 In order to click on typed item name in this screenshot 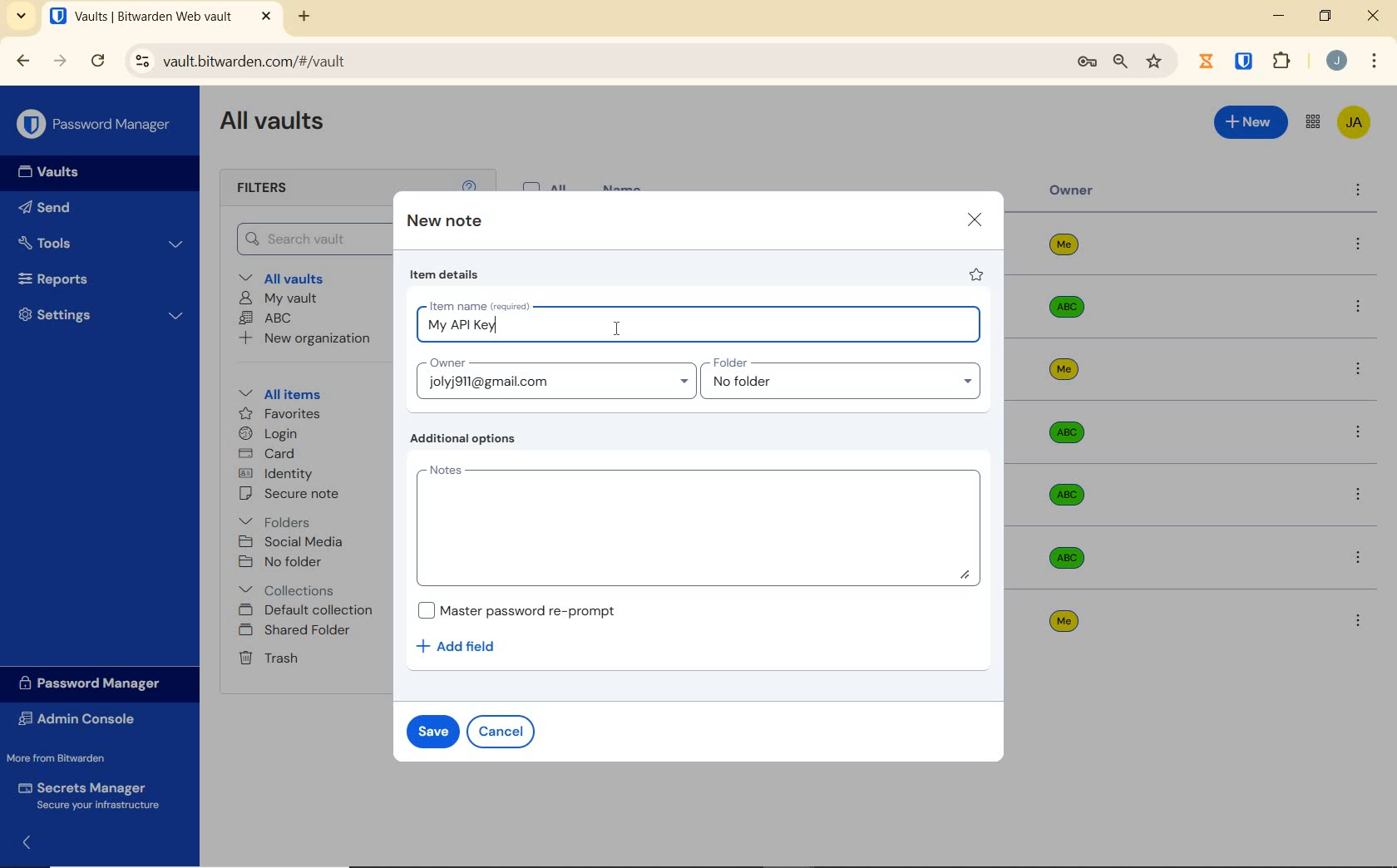, I will do `click(462, 326)`.